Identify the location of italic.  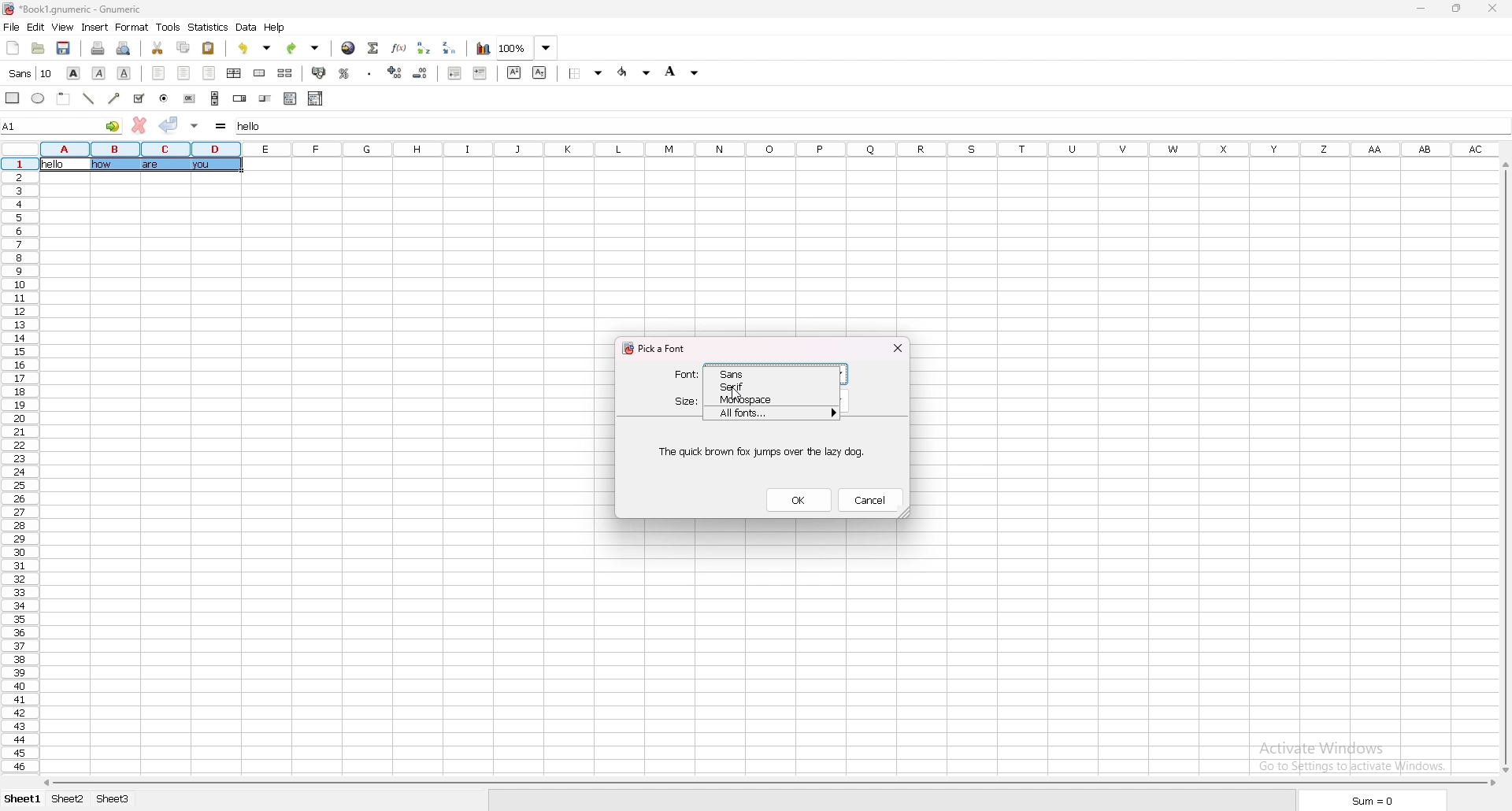
(98, 72).